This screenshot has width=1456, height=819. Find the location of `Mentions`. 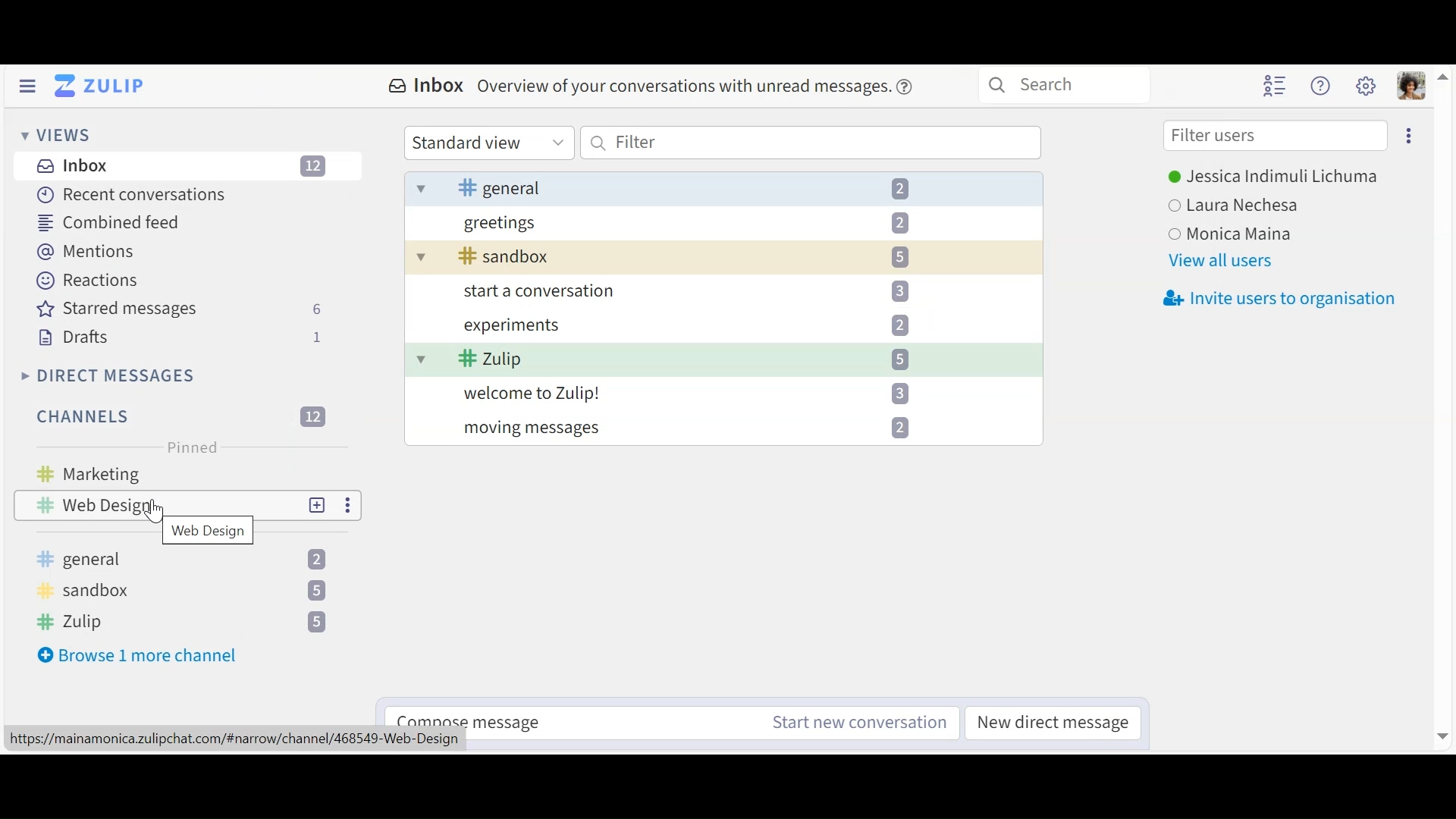

Mentions is located at coordinates (84, 253).